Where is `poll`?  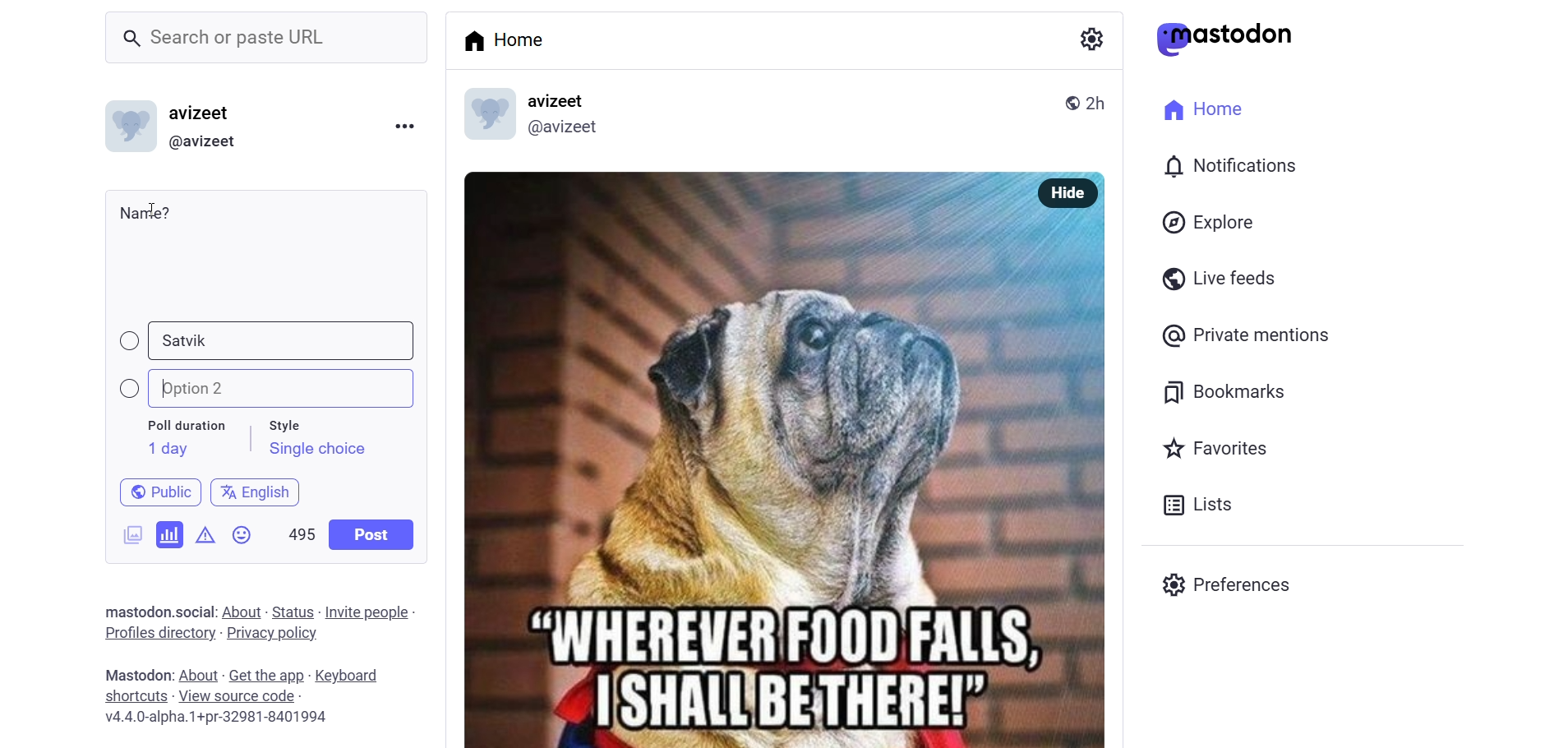
poll is located at coordinates (170, 533).